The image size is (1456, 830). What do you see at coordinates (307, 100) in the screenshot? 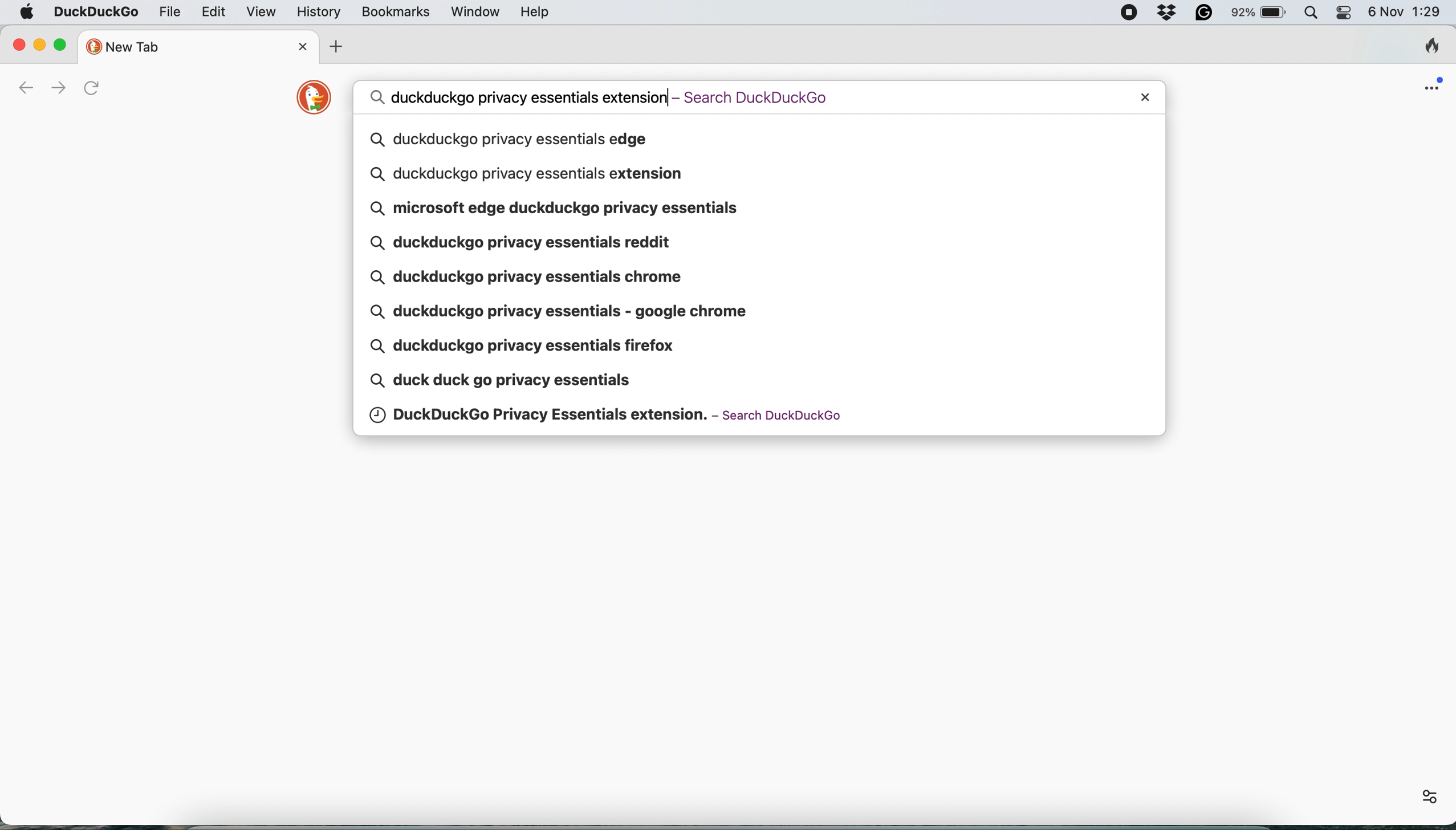
I see `duckduckgo logo` at bounding box center [307, 100].